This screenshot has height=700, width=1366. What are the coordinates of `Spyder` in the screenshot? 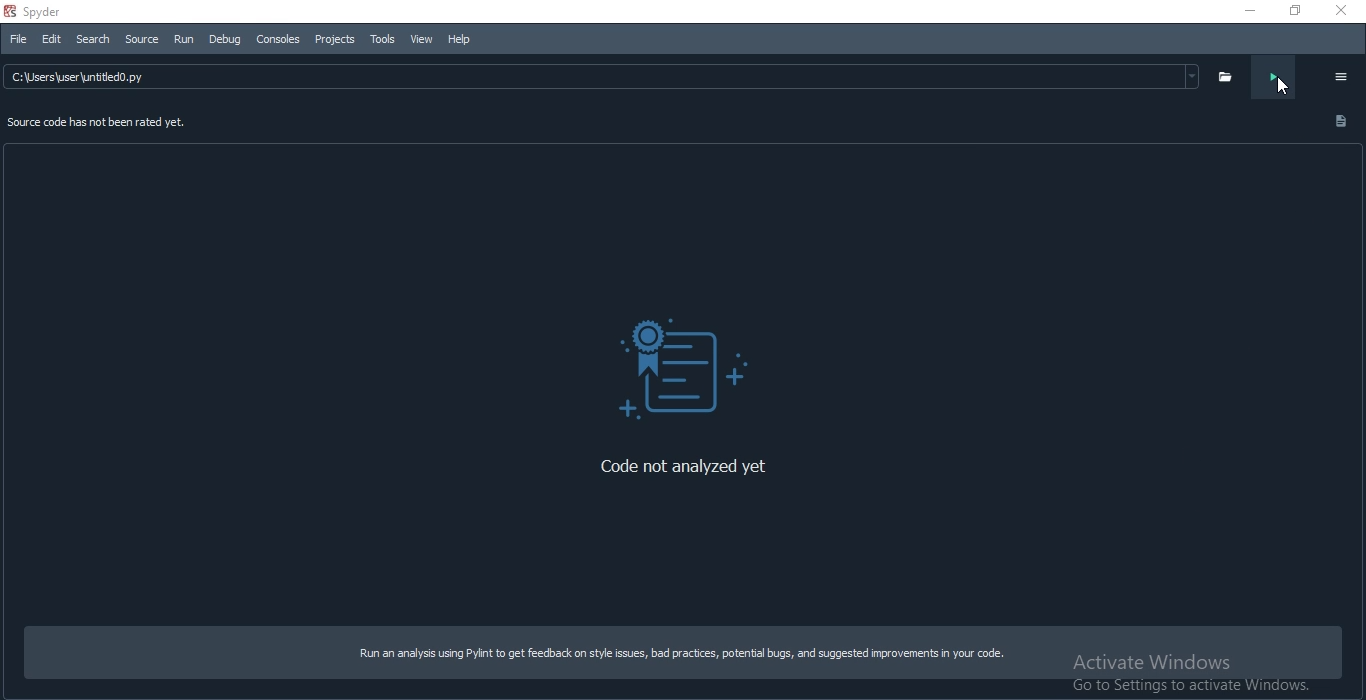 It's located at (36, 12).